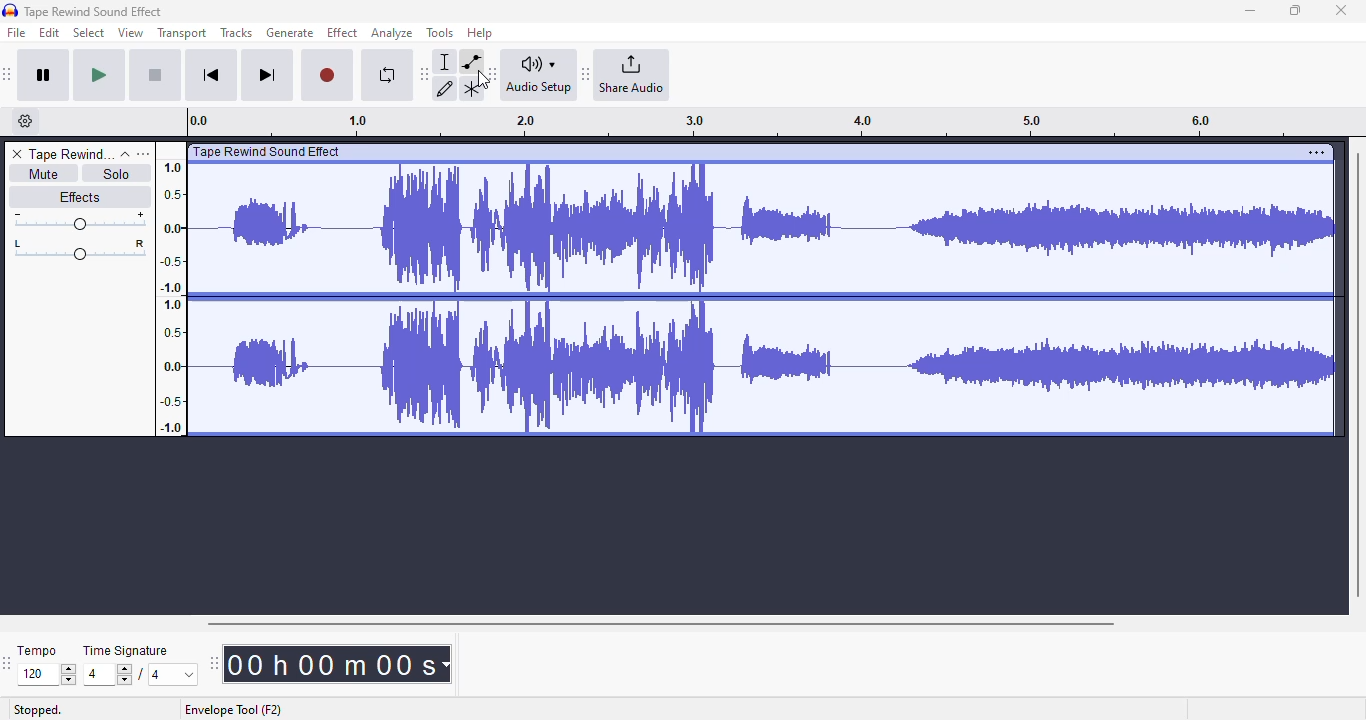 This screenshot has height=720, width=1366. Describe the element at coordinates (744, 122) in the screenshot. I see `Track timeline` at that location.